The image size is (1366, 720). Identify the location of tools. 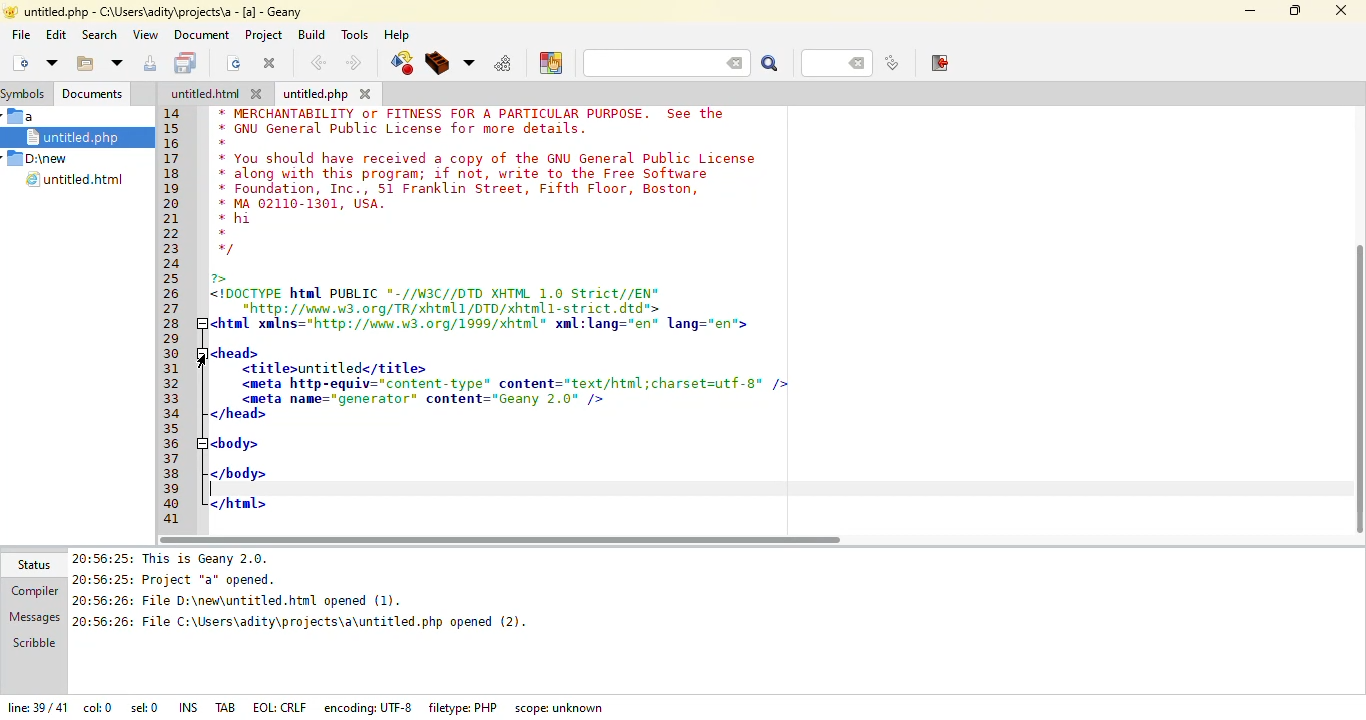
(355, 34).